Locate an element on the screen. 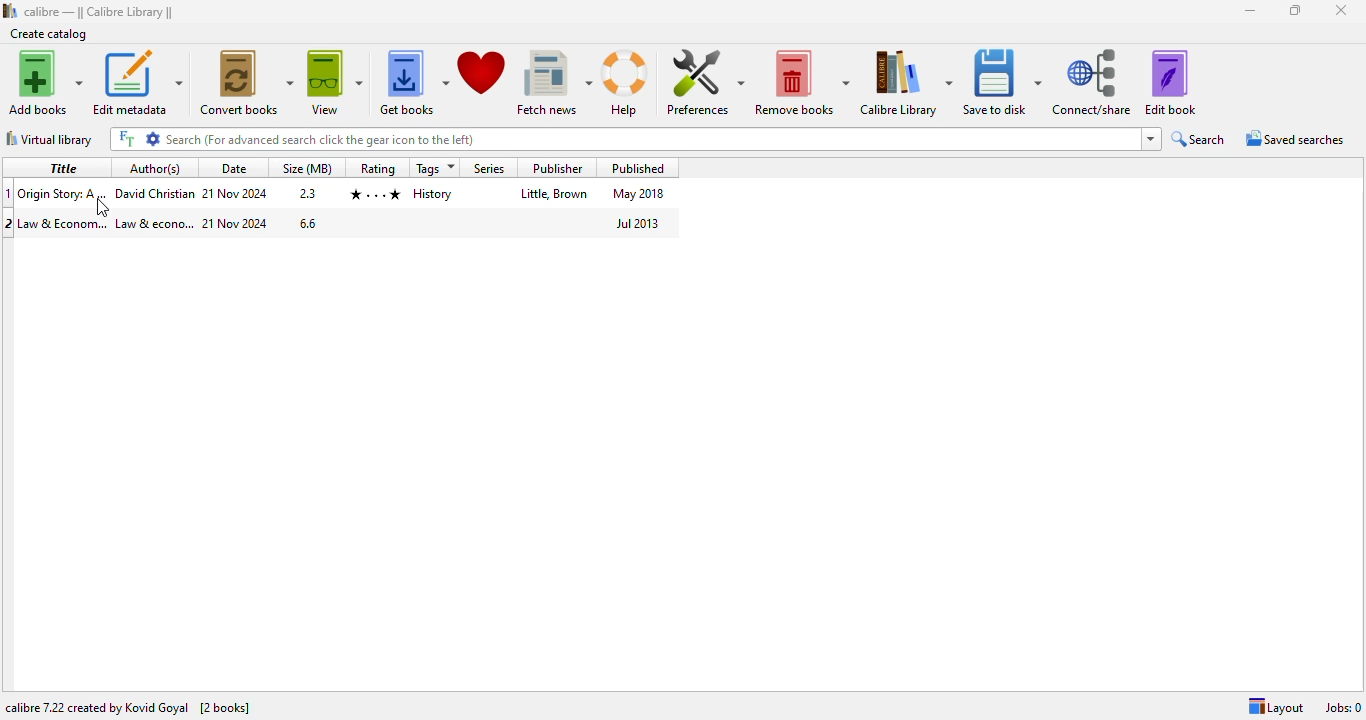  calibre library is located at coordinates (100, 12).